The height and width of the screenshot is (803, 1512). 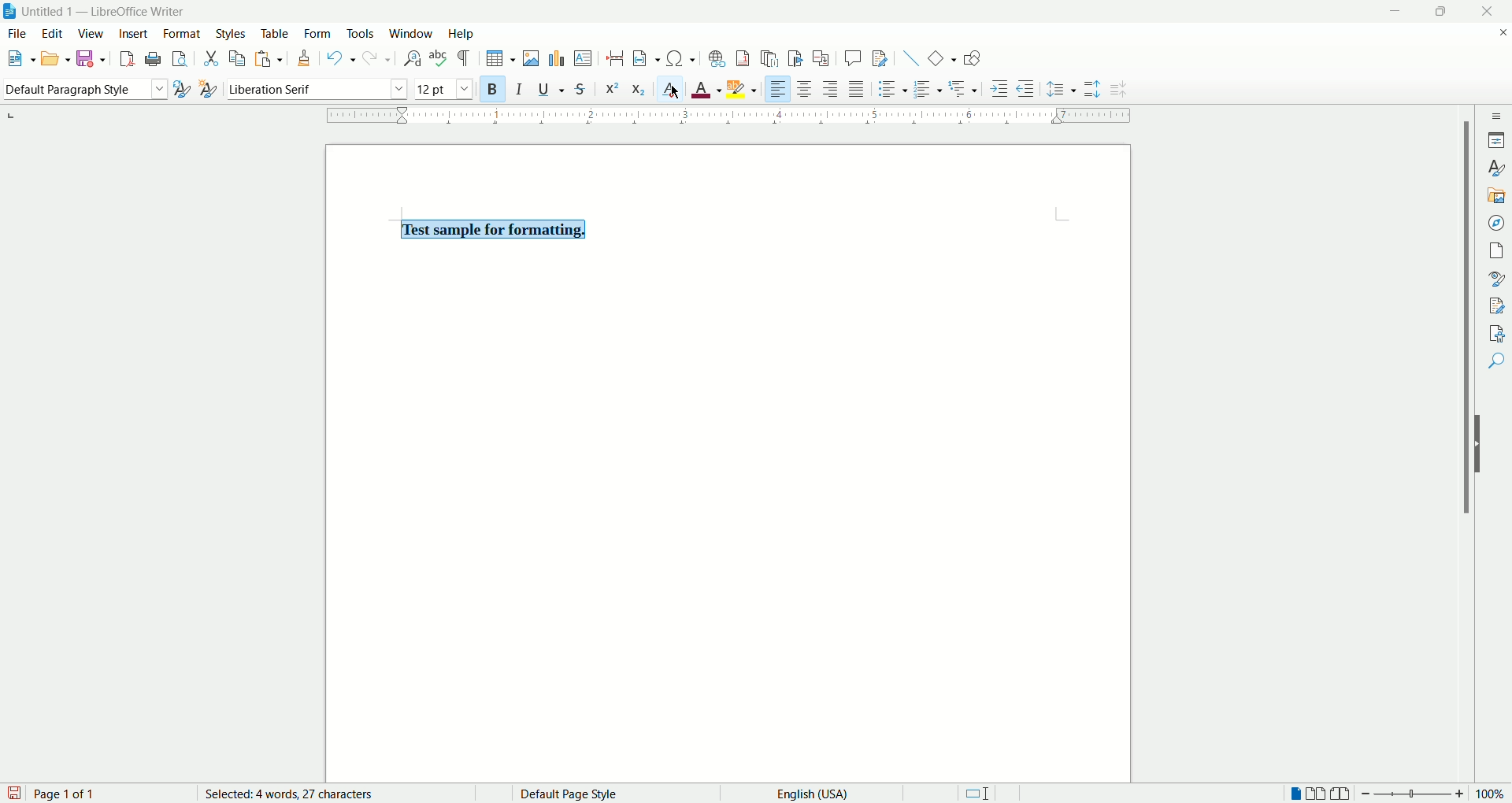 I want to click on superscript, so click(x=613, y=88).